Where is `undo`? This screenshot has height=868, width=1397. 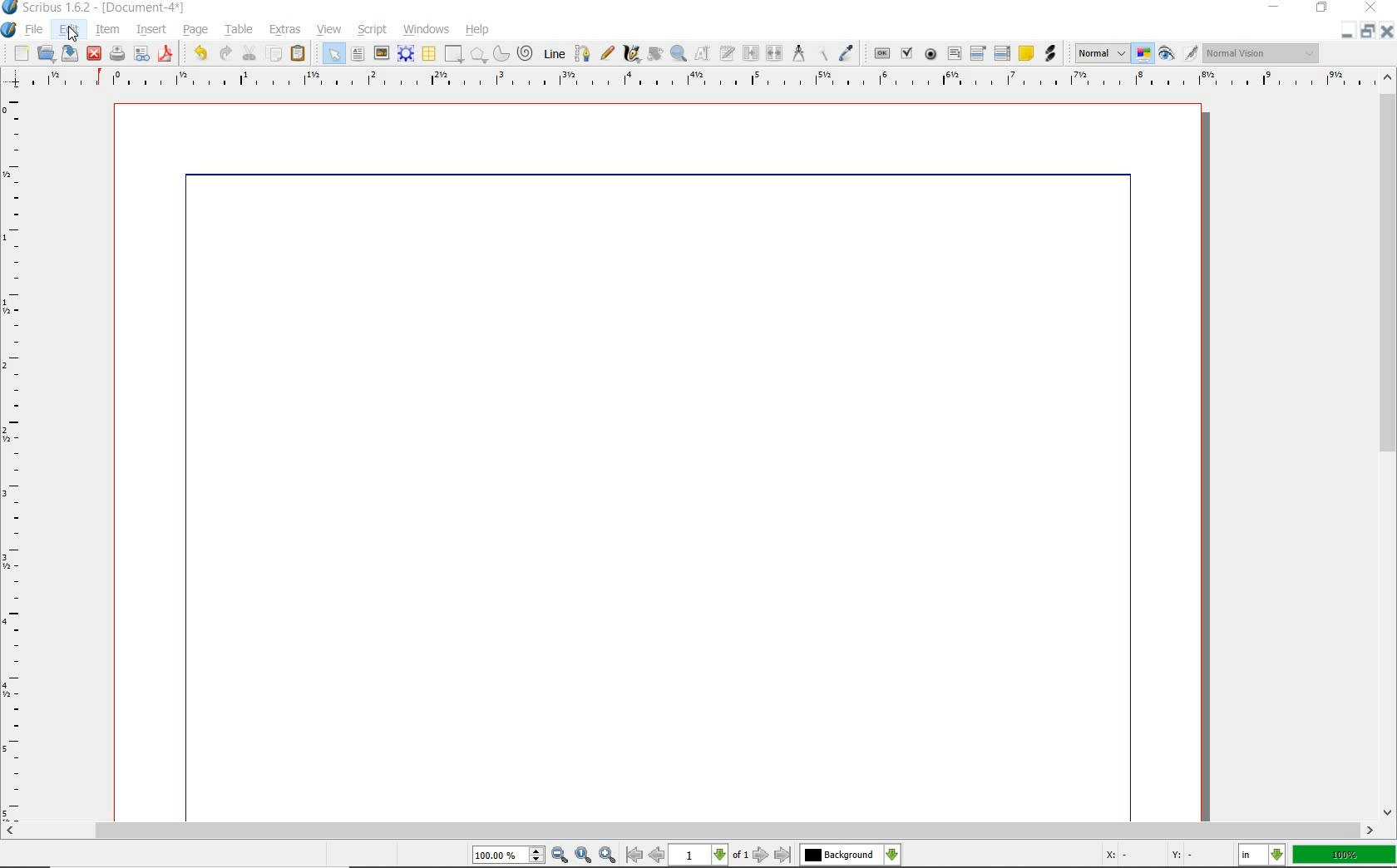
undo is located at coordinates (197, 52).